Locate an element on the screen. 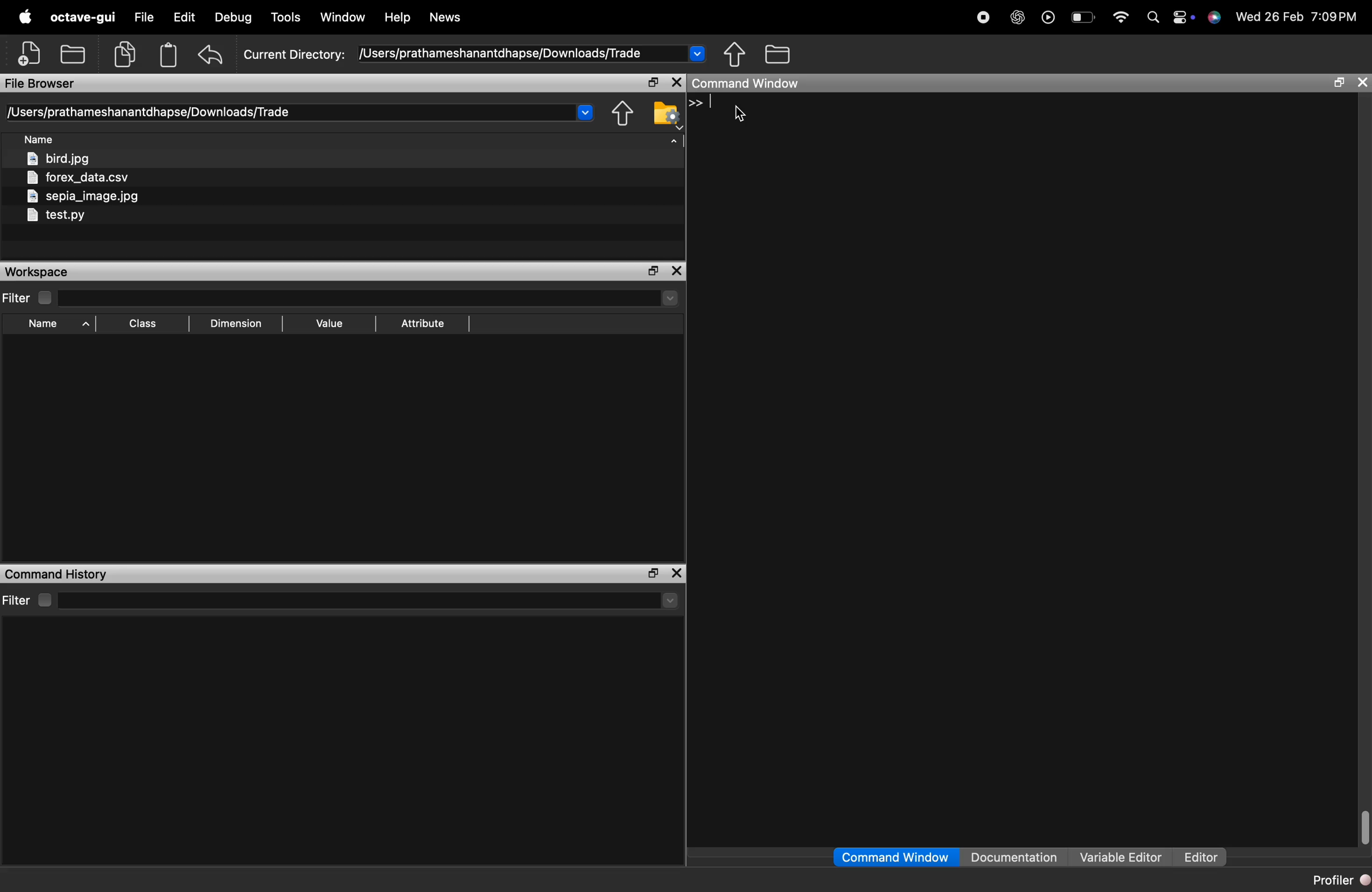 This screenshot has width=1372, height=892. octave-gui is located at coordinates (85, 18).